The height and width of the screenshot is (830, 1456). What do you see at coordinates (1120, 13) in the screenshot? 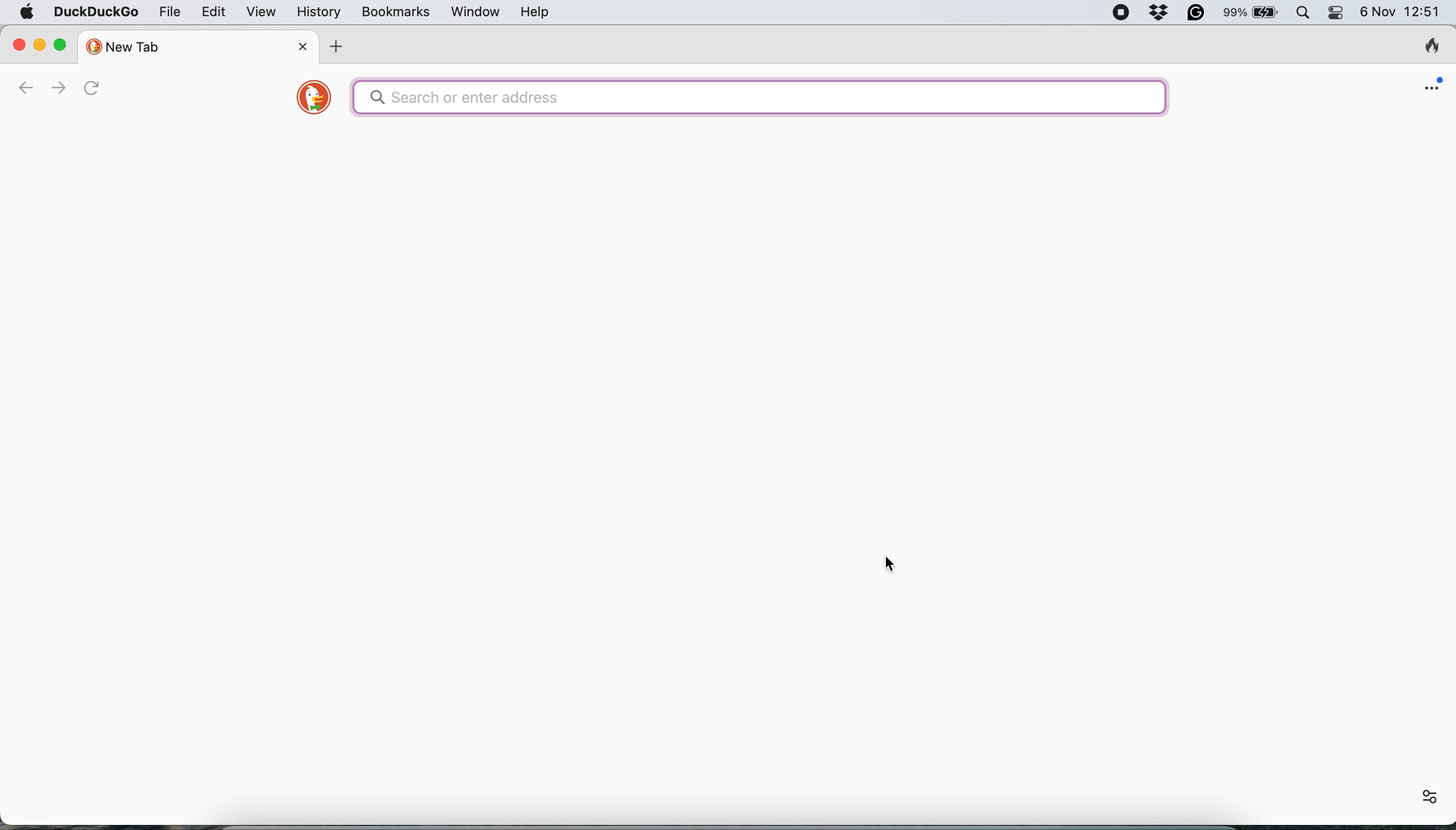
I see `screen recorder` at bounding box center [1120, 13].